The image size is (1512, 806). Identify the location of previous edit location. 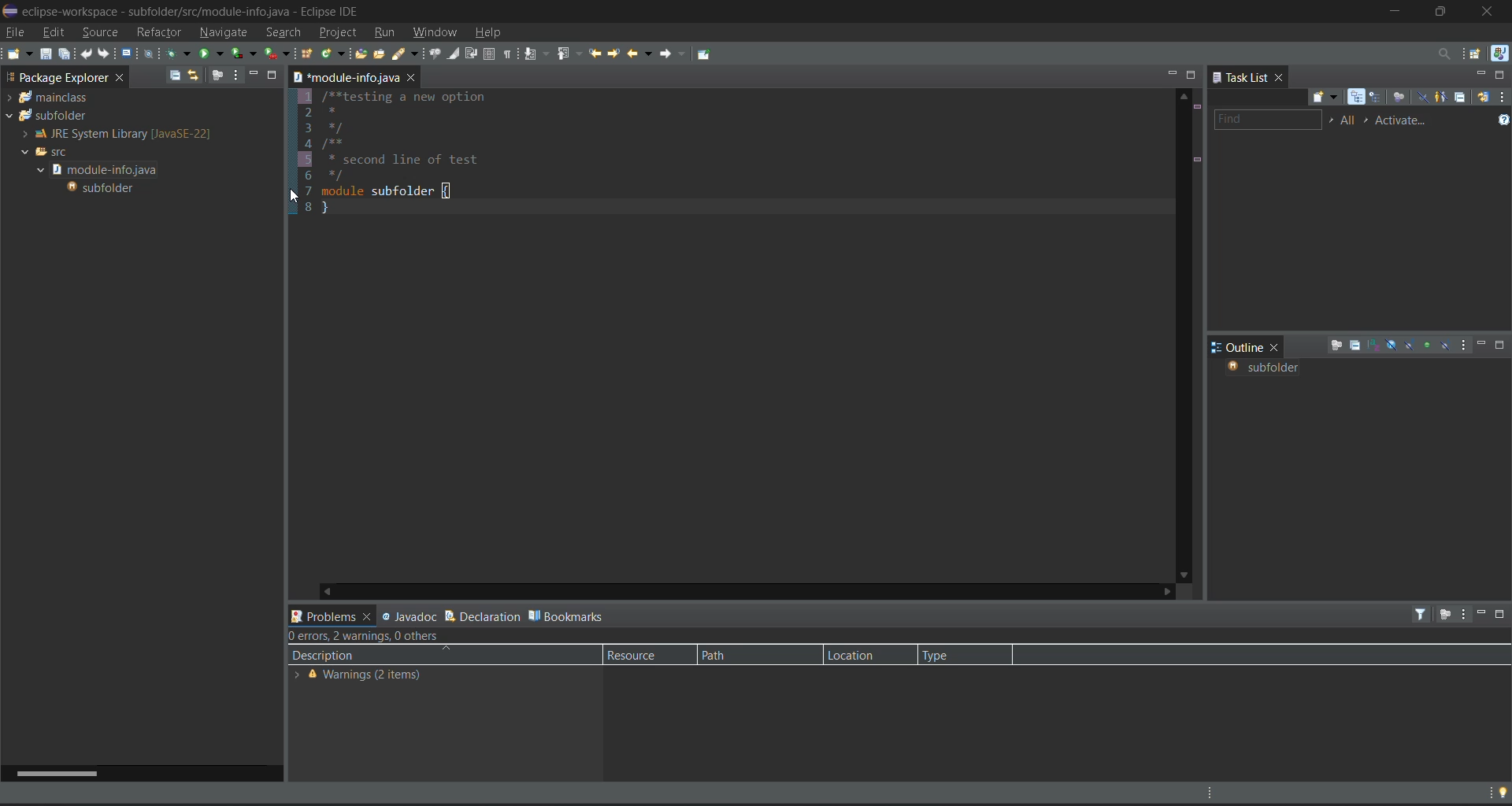
(596, 54).